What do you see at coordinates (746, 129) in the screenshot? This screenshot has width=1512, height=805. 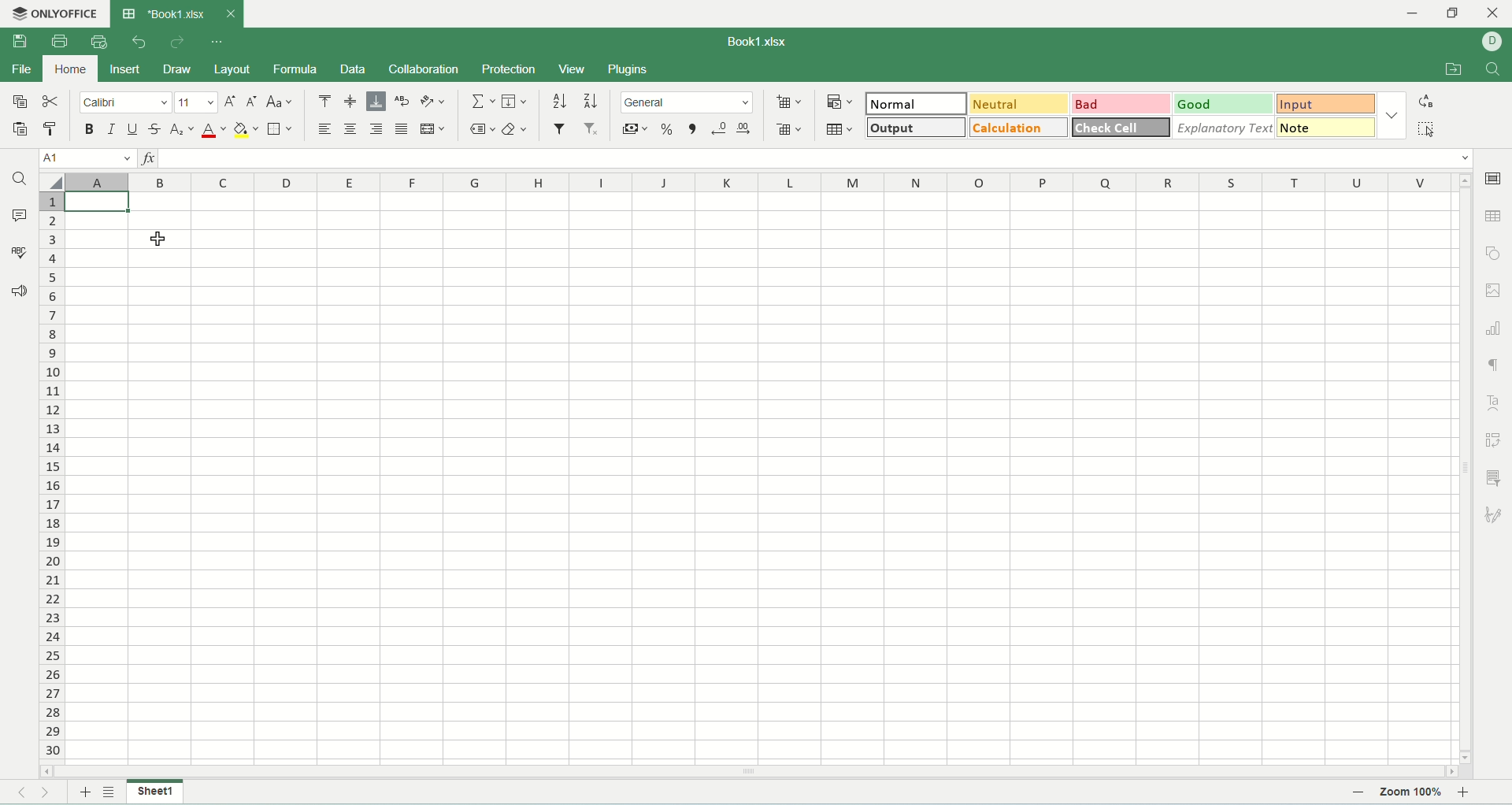 I see `increase decimal` at bounding box center [746, 129].